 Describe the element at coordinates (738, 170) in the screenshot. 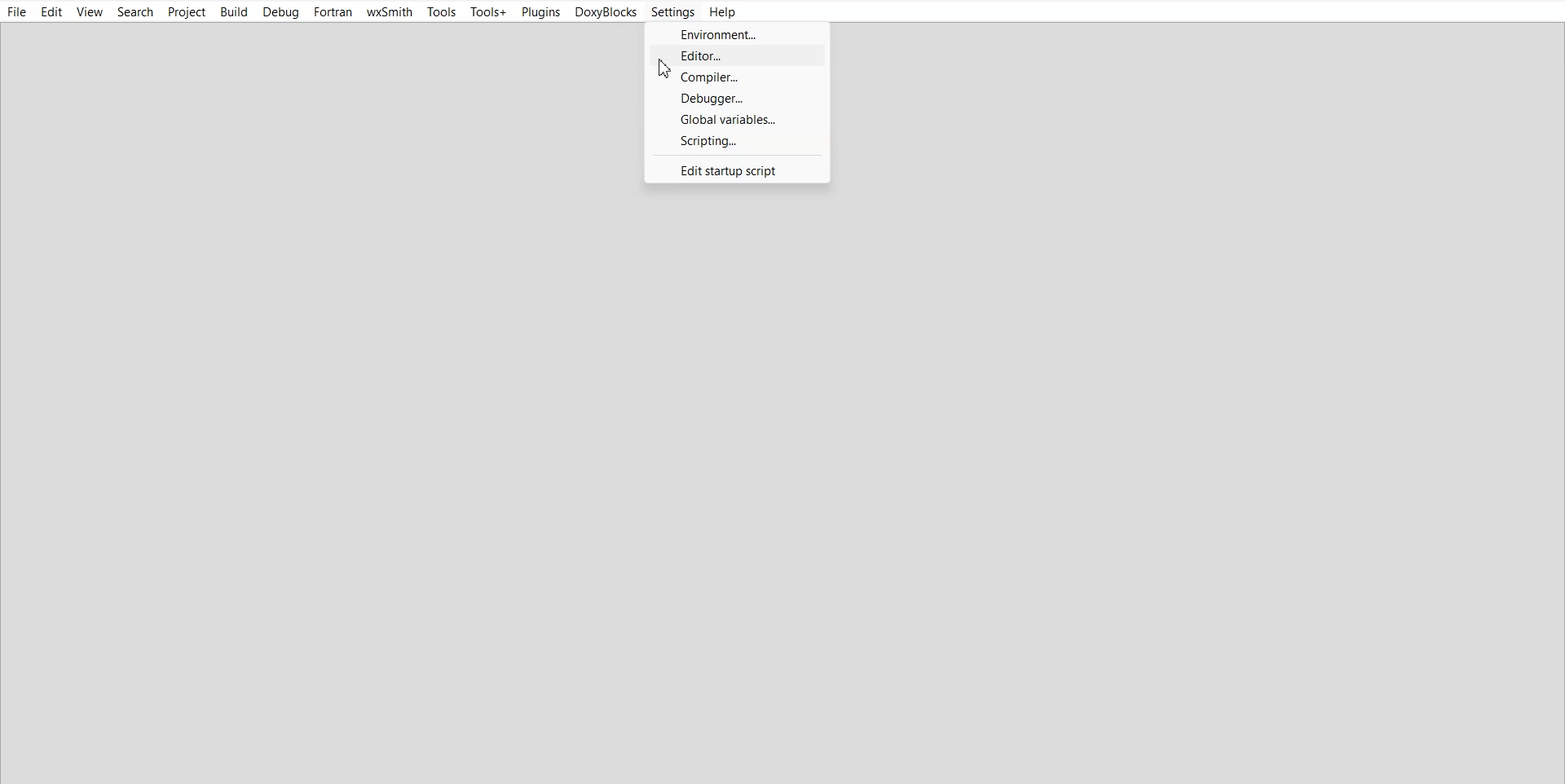

I see `Edit startup scripting` at that location.